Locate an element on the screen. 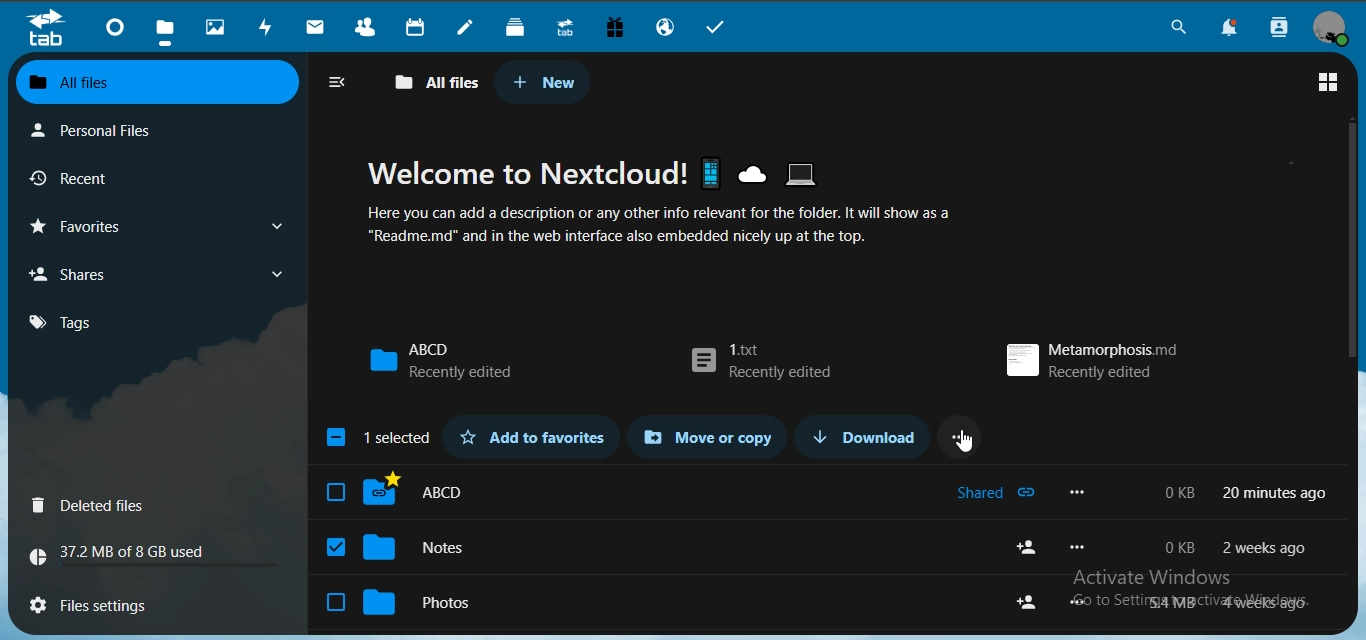 This screenshot has width=1366, height=640. 20 min ago is located at coordinates (1276, 491).